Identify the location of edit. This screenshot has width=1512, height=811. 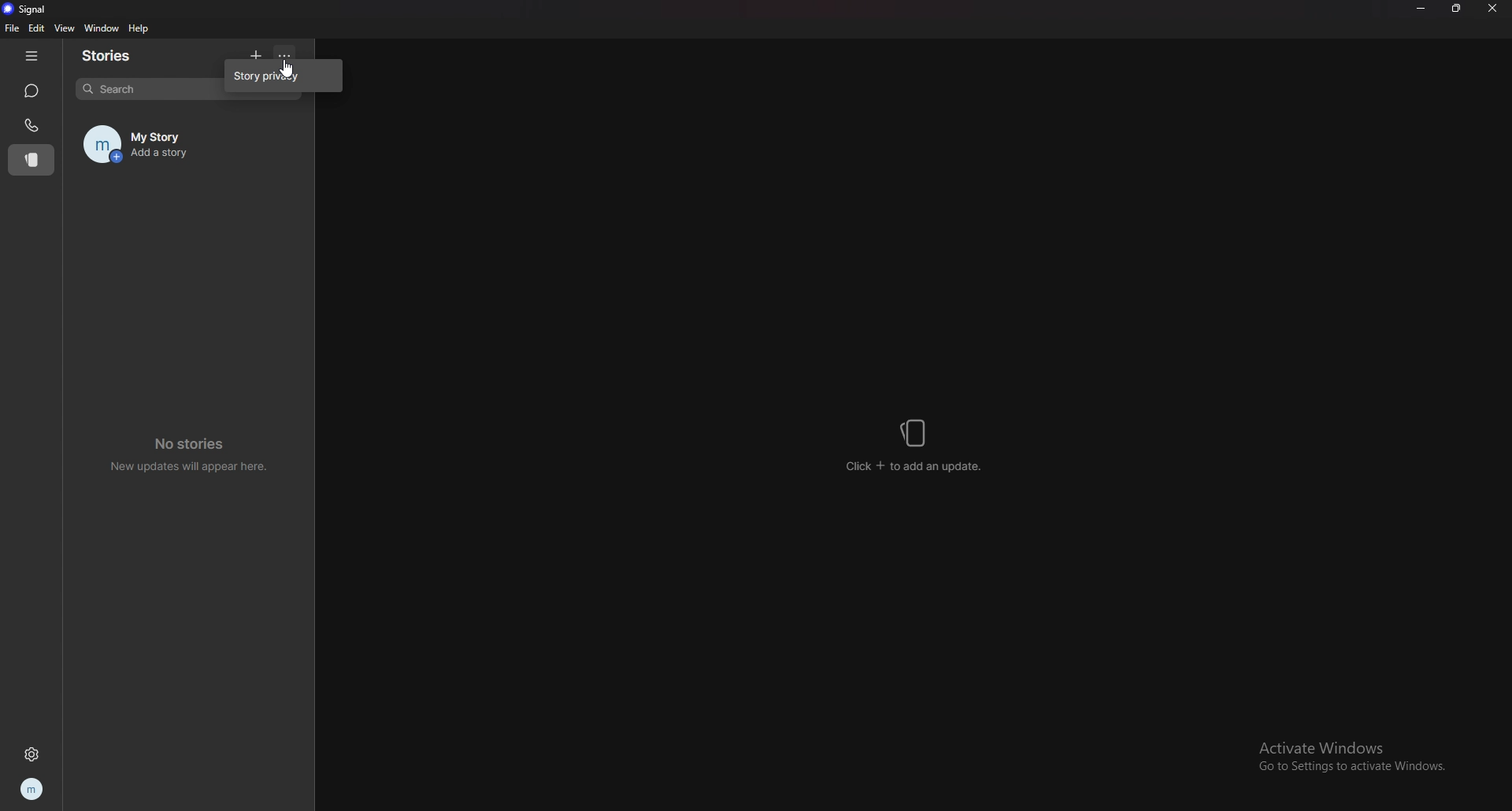
(36, 28).